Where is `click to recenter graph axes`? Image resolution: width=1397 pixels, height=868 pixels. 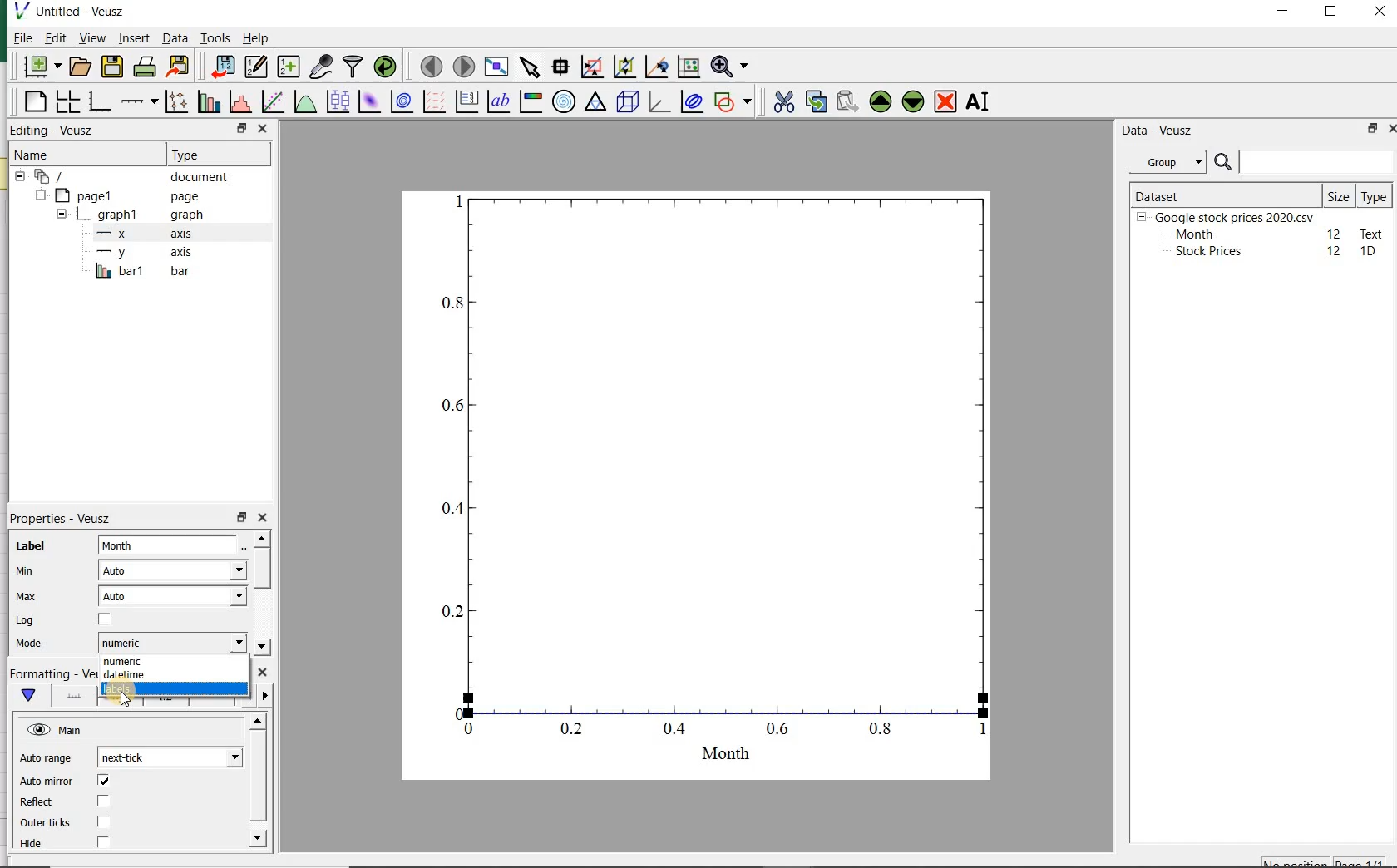
click to recenter graph axes is located at coordinates (654, 67).